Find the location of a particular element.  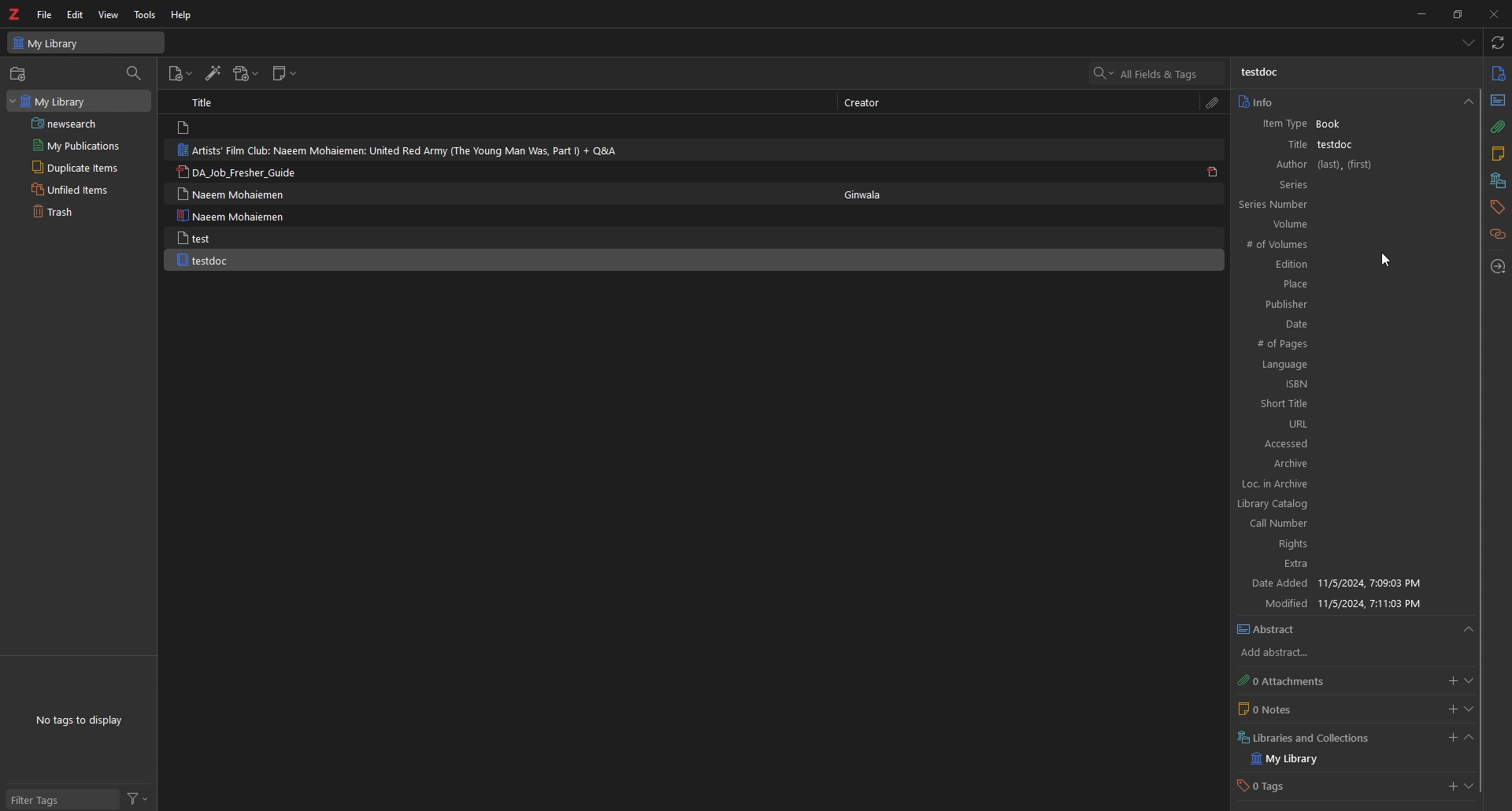

collapse is located at coordinates (1469, 739).